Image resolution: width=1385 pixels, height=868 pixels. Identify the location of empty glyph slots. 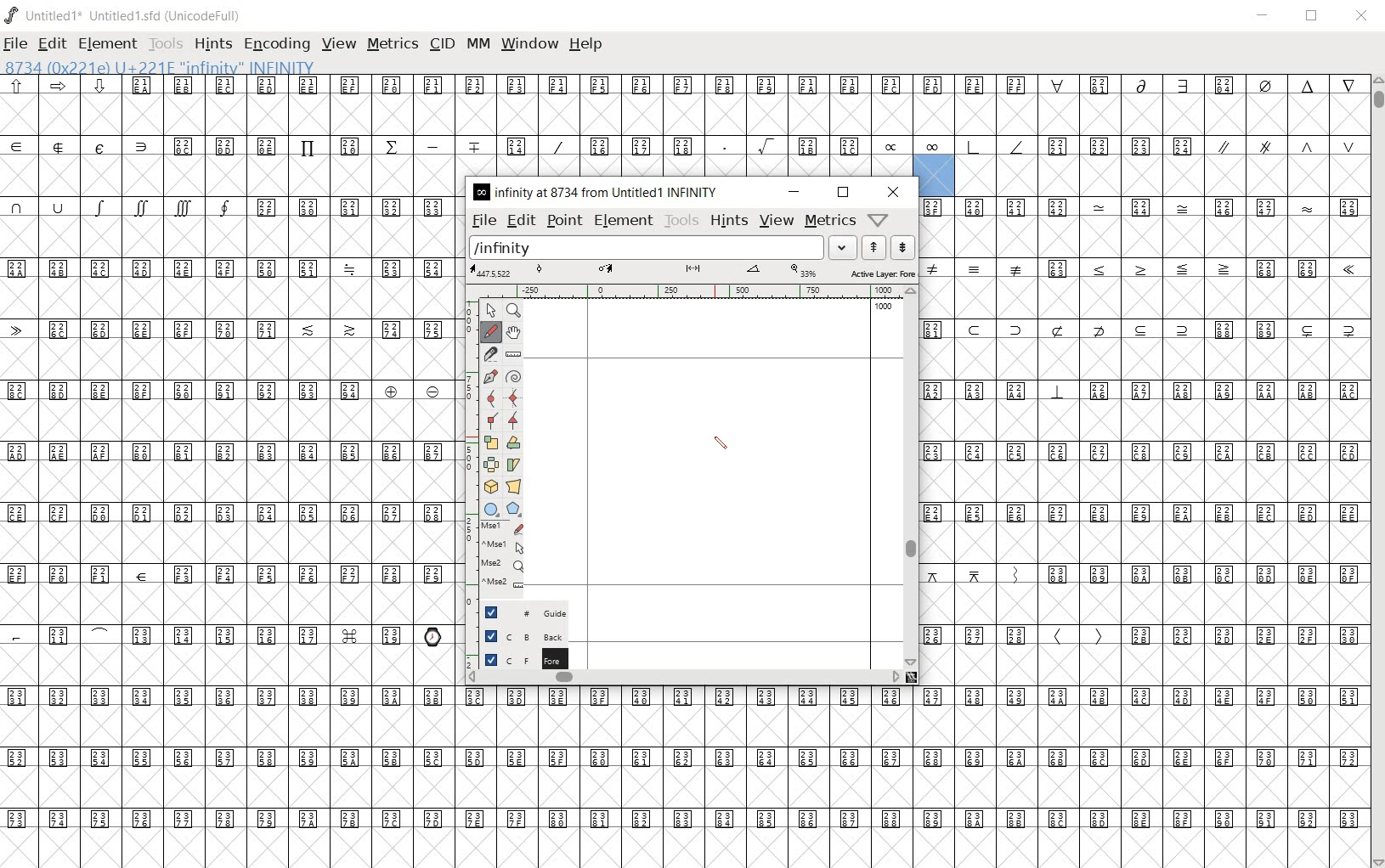
(227, 237).